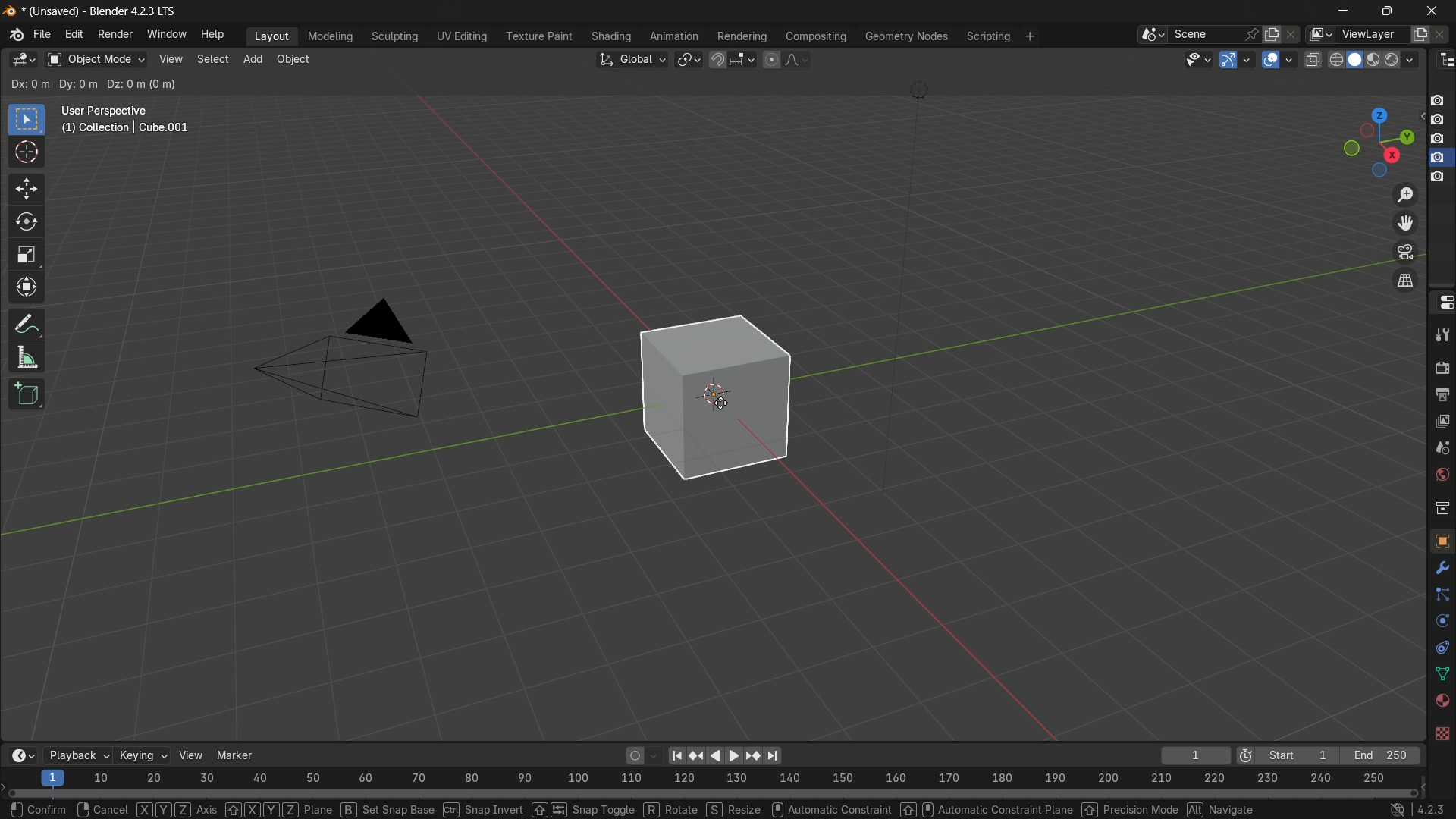 This screenshot has width=1456, height=819. What do you see at coordinates (1442, 473) in the screenshot?
I see `world` at bounding box center [1442, 473].